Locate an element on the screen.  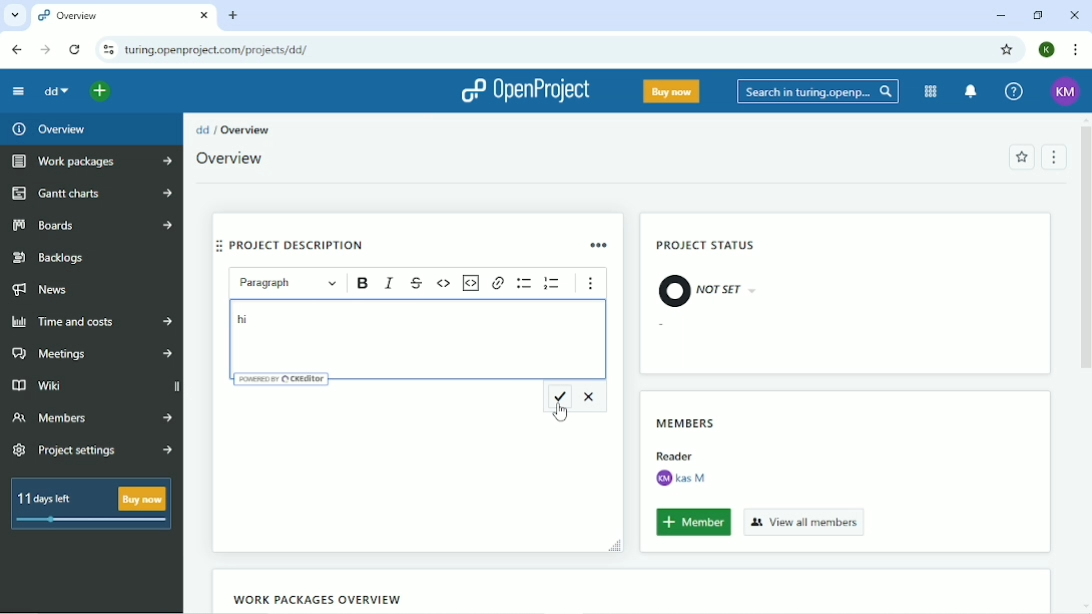
Meetings is located at coordinates (90, 354).